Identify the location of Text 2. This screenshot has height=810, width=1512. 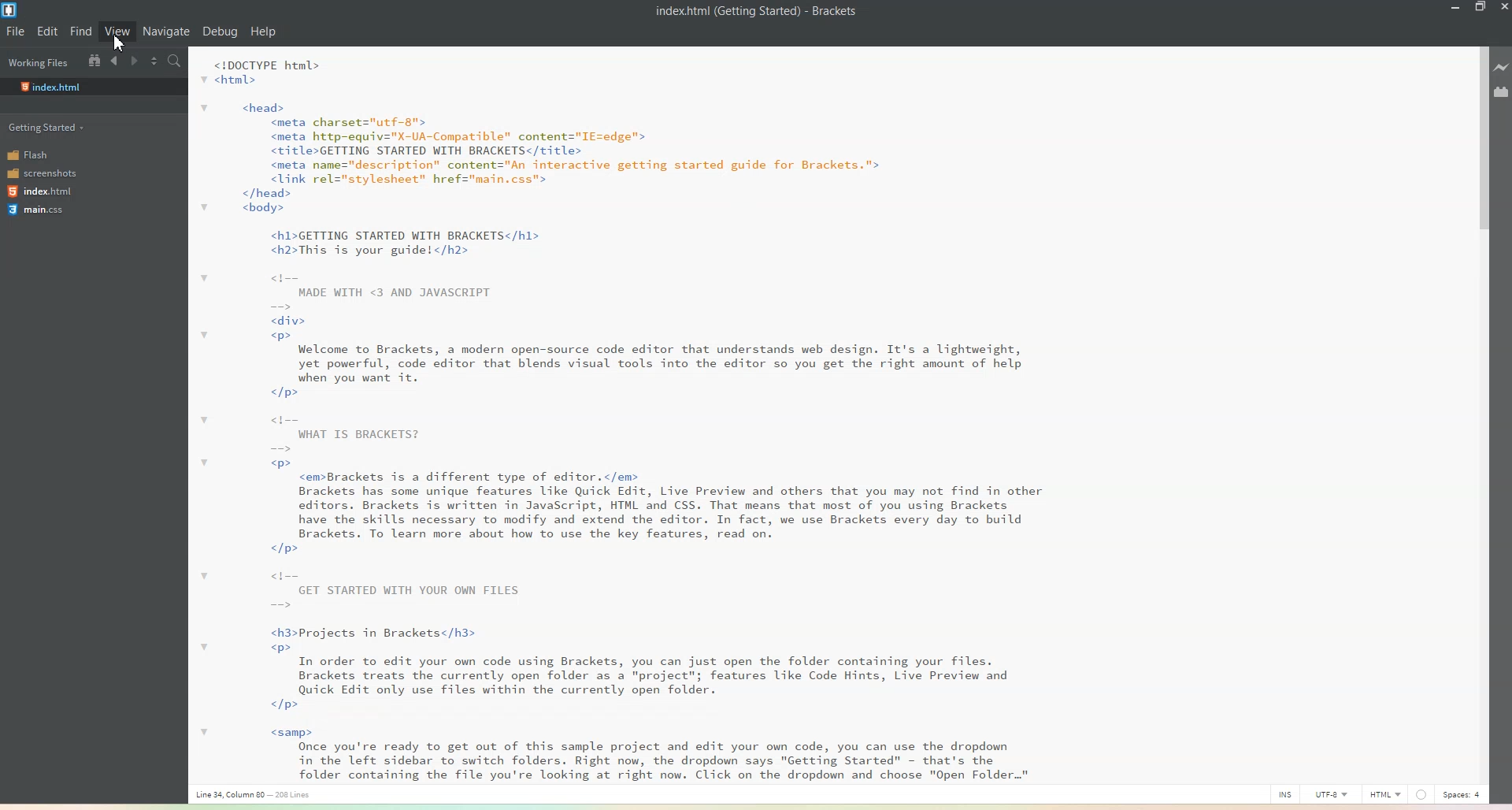
(757, 10).